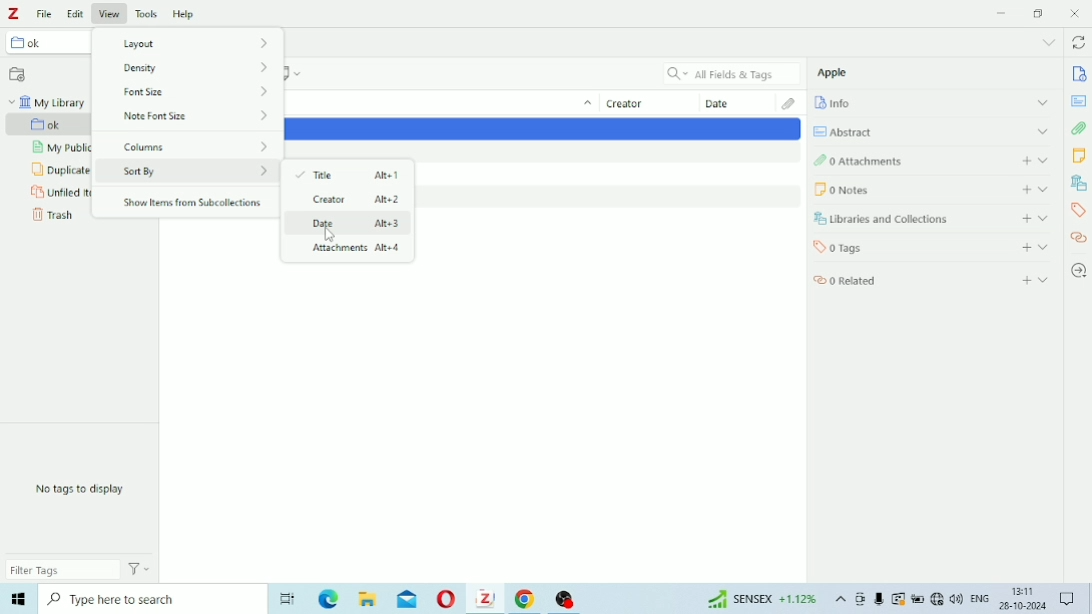 This screenshot has height=614, width=1092. What do you see at coordinates (1024, 161) in the screenshot?
I see `add` at bounding box center [1024, 161].